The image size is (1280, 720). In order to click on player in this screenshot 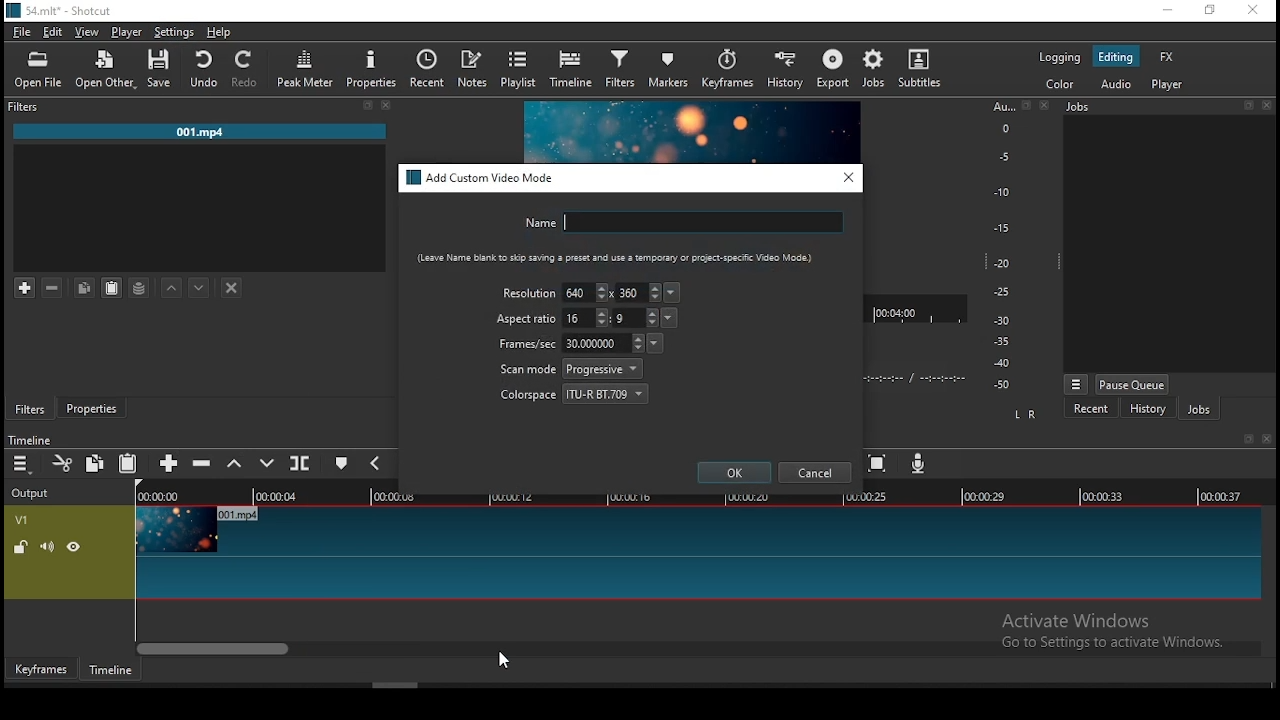, I will do `click(1170, 85)`.